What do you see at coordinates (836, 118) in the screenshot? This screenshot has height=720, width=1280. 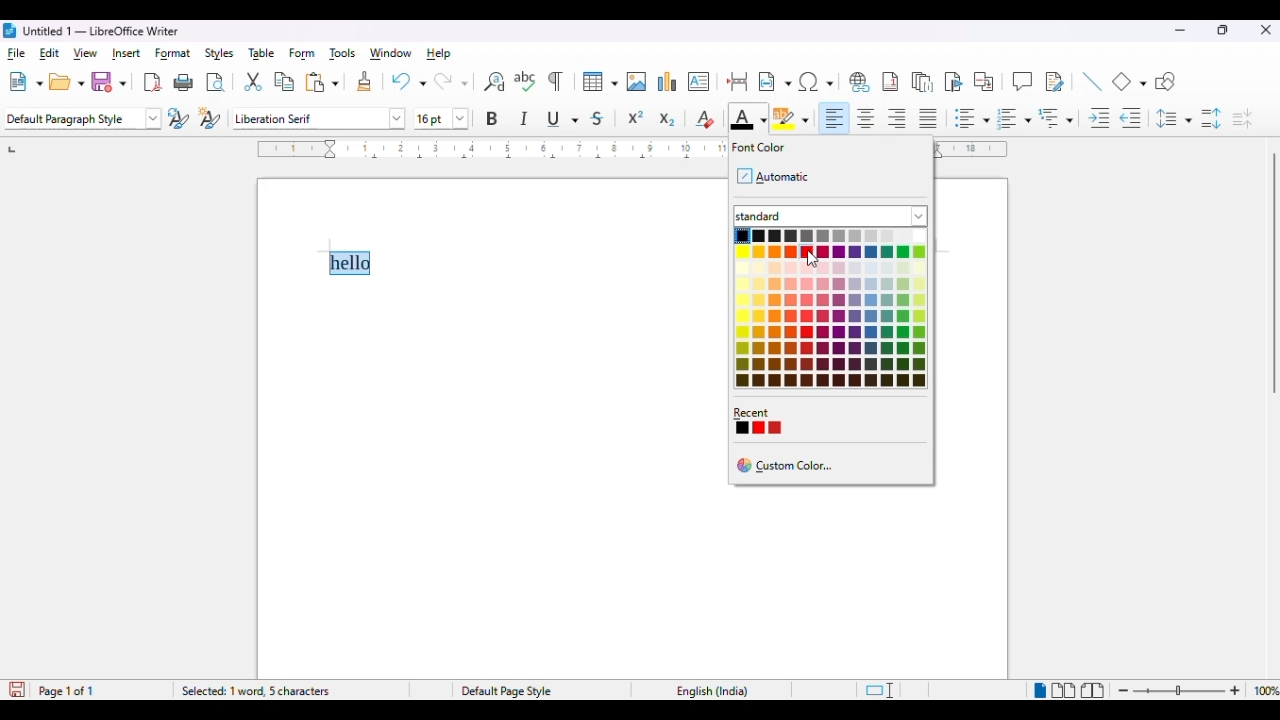 I see `align left` at bounding box center [836, 118].